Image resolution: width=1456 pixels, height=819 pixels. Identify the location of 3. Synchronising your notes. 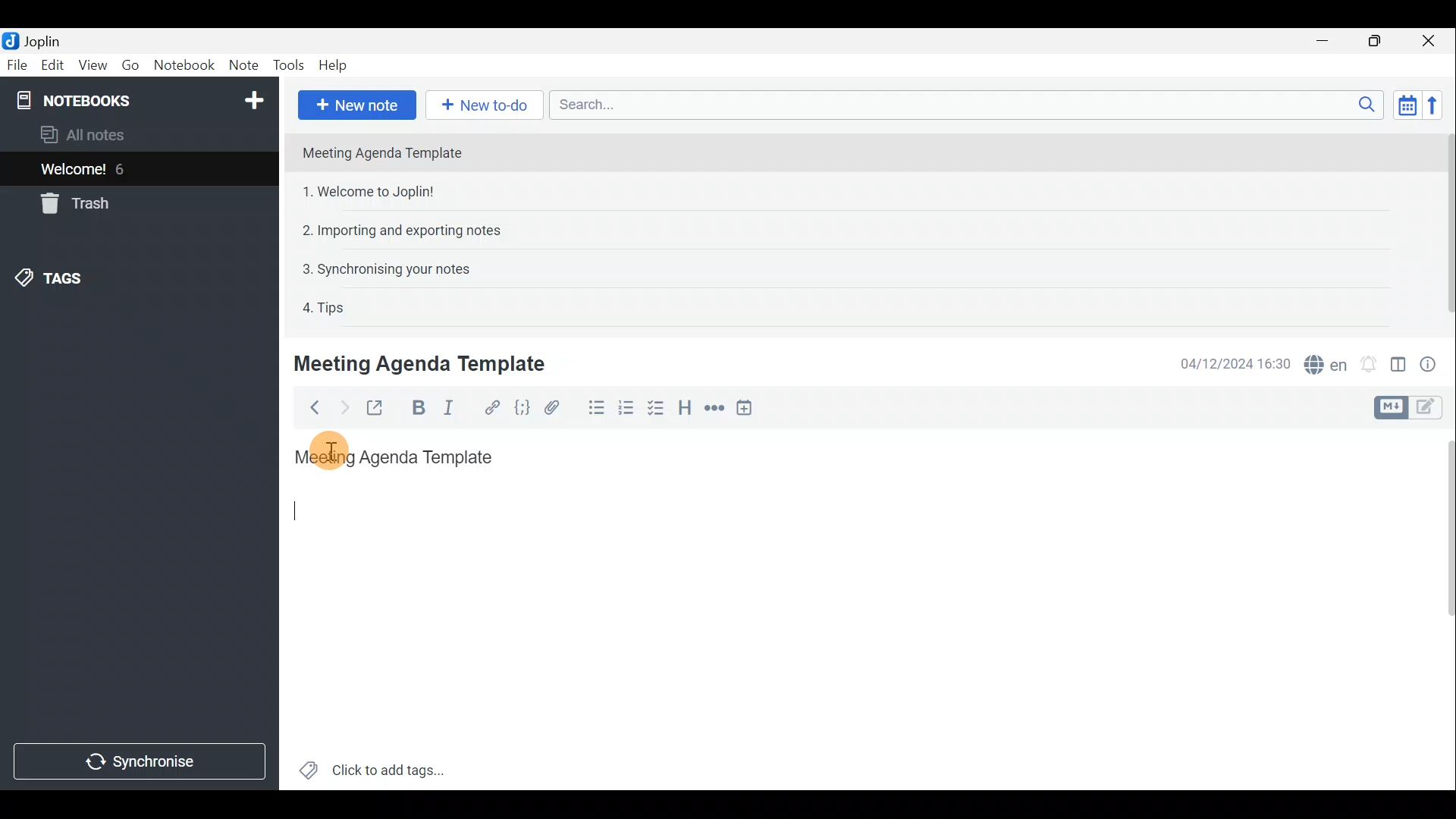
(386, 268).